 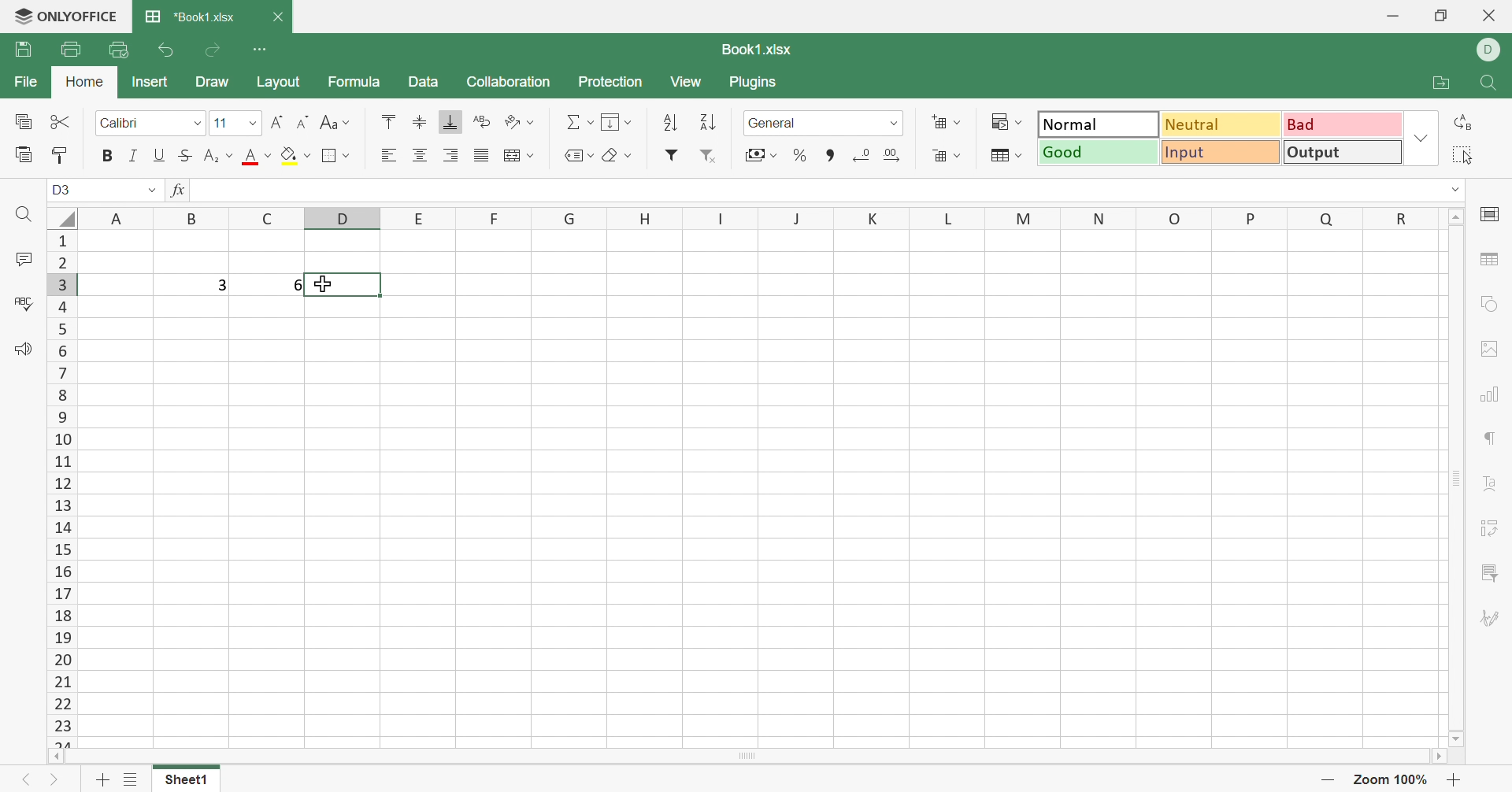 What do you see at coordinates (1390, 779) in the screenshot?
I see `Zoom out 57%` at bounding box center [1390, 779].